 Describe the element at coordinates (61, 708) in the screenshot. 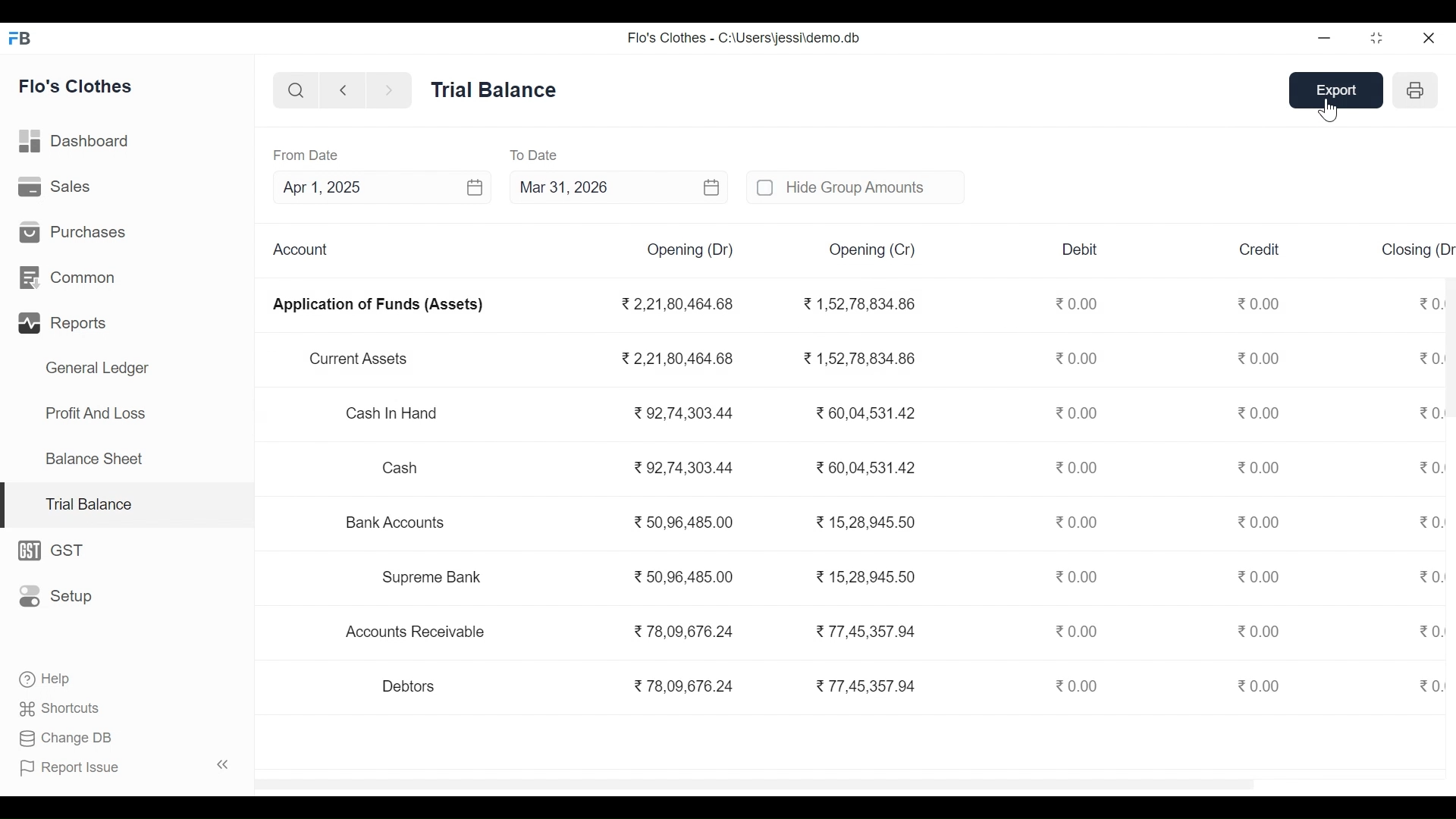

I see `Shortcuts` at that location.